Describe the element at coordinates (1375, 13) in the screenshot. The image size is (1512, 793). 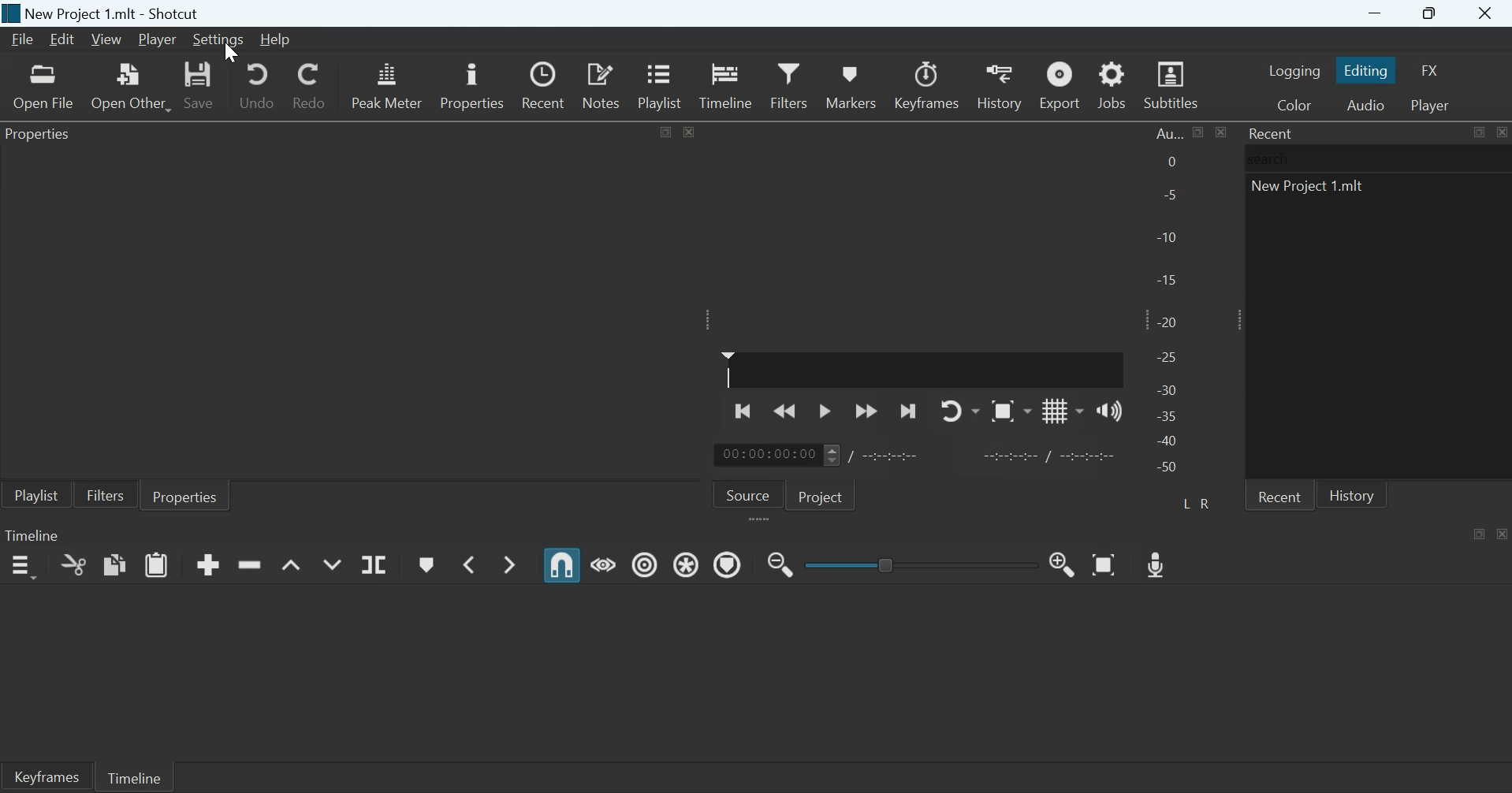
I see `Minimize` at that location.